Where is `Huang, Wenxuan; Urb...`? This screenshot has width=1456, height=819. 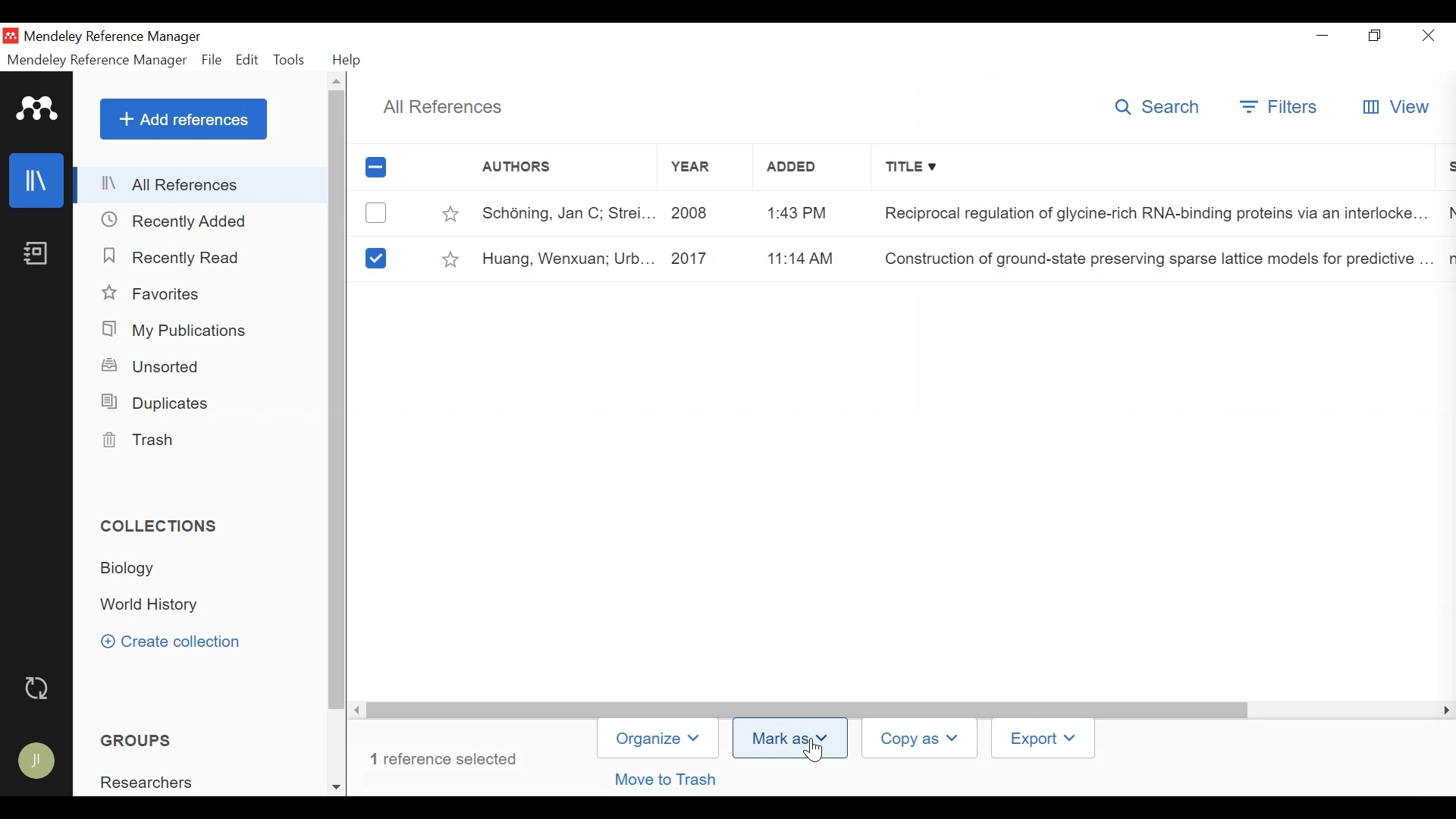
Huang, Wenxuan; Urb... is located at coordinates (571, 262).